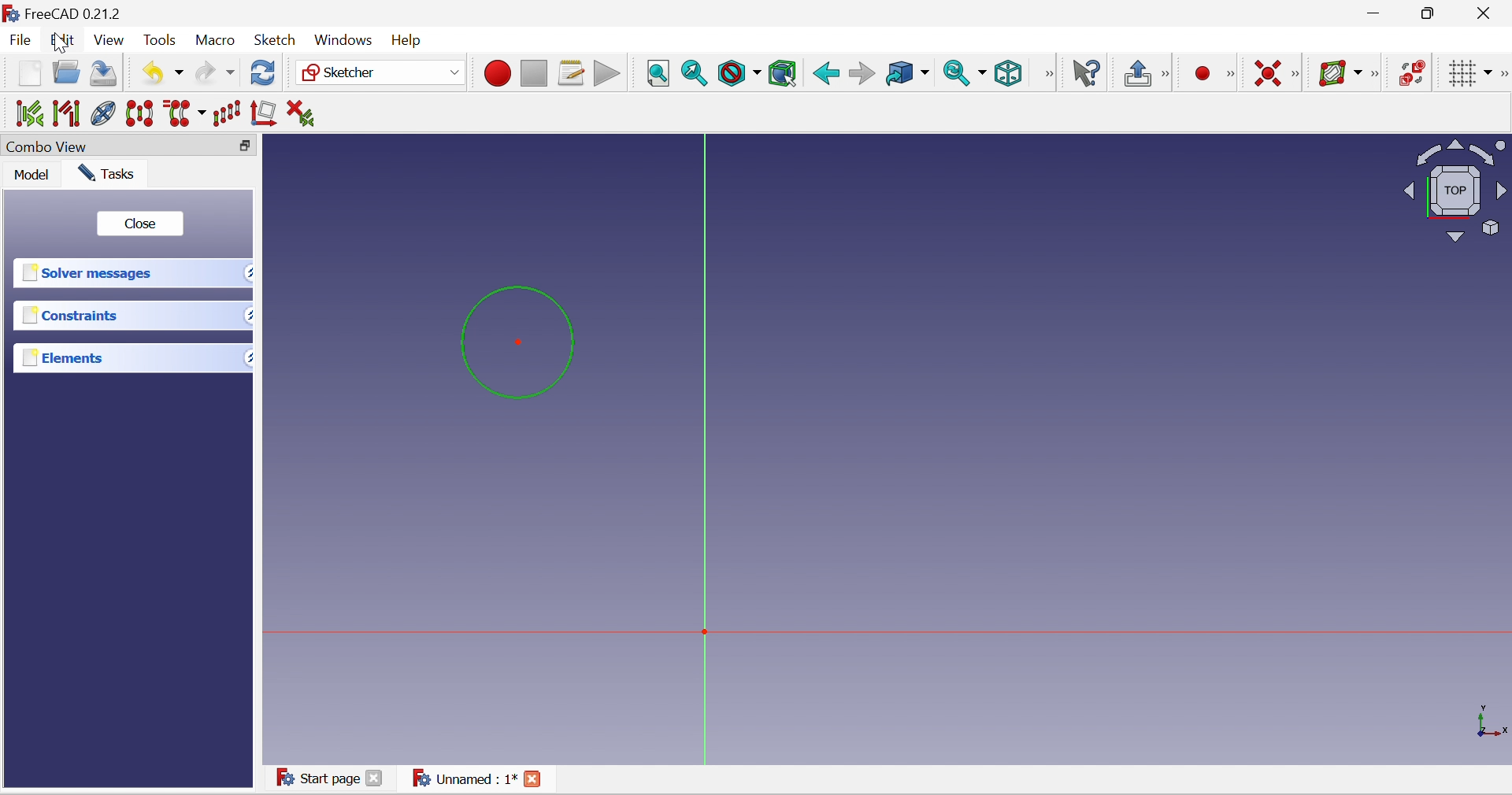 The width and height of the screenshot is (1512, 795). Describe the element at coordinates (861, 73) in the screenshot. I see `Forward` at that location.